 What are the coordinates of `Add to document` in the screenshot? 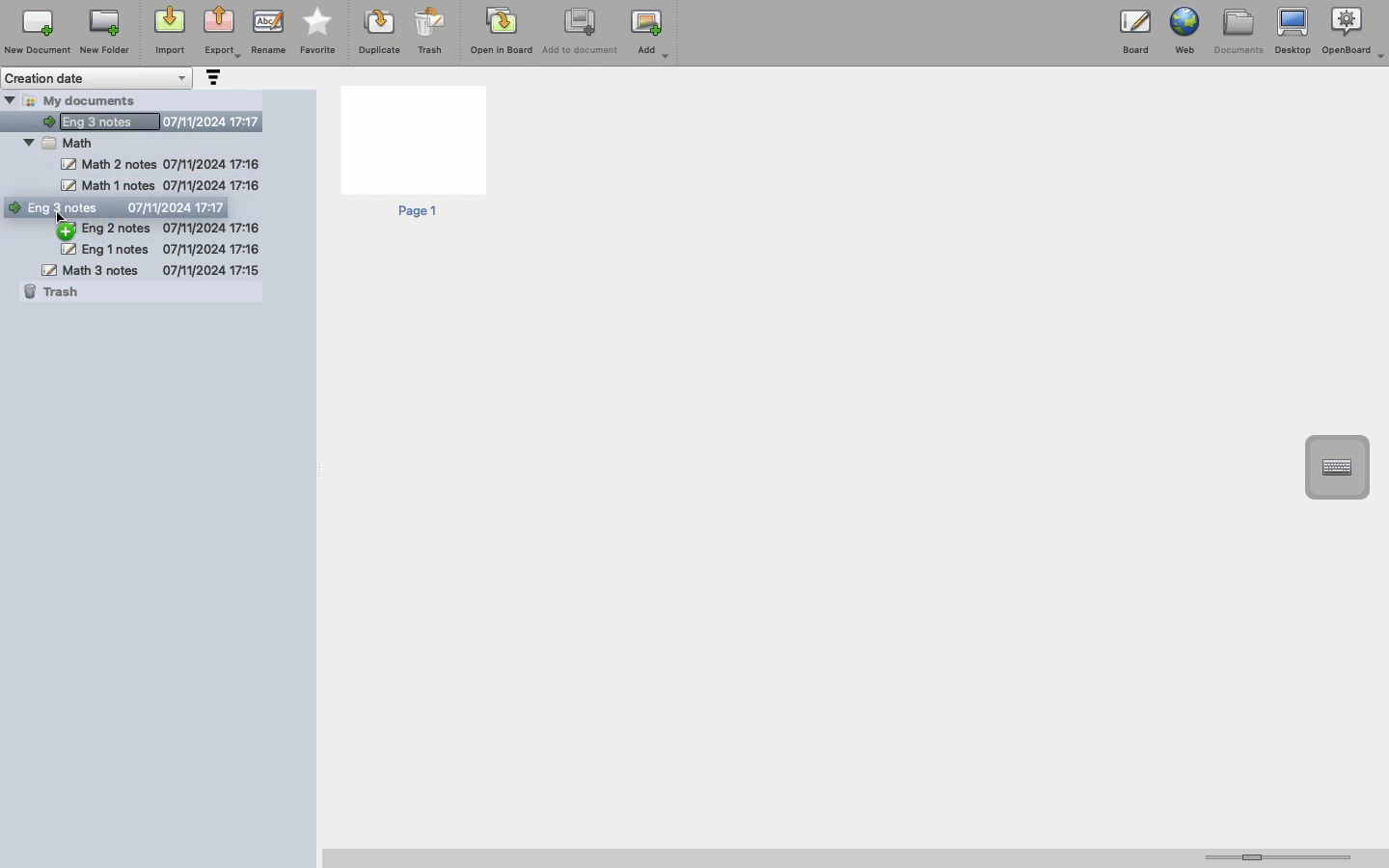 It's located at (582, 33).